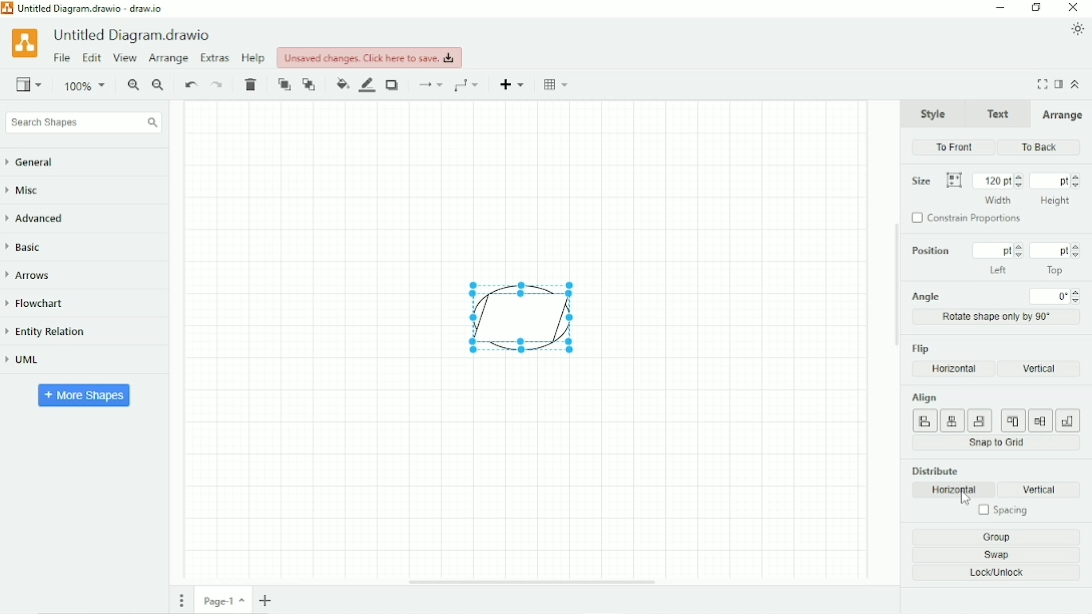 The height and width of the screenshot is (614, 1092). Describe the element at coordinates (310, 84) in the screenshot. I see `To back` at that location.